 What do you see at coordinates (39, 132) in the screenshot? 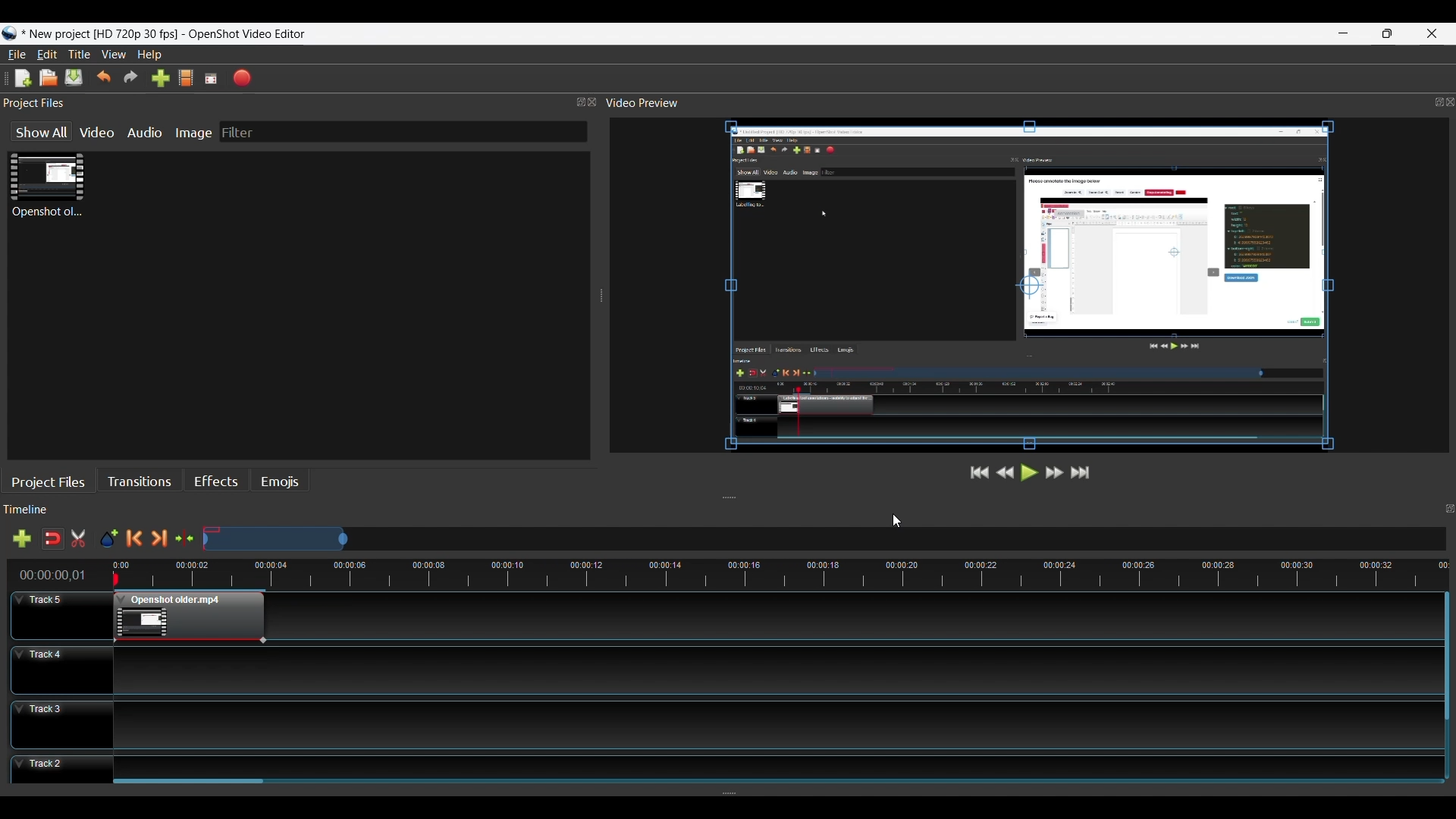
I see `Show All` at bounding box center [39, 132].